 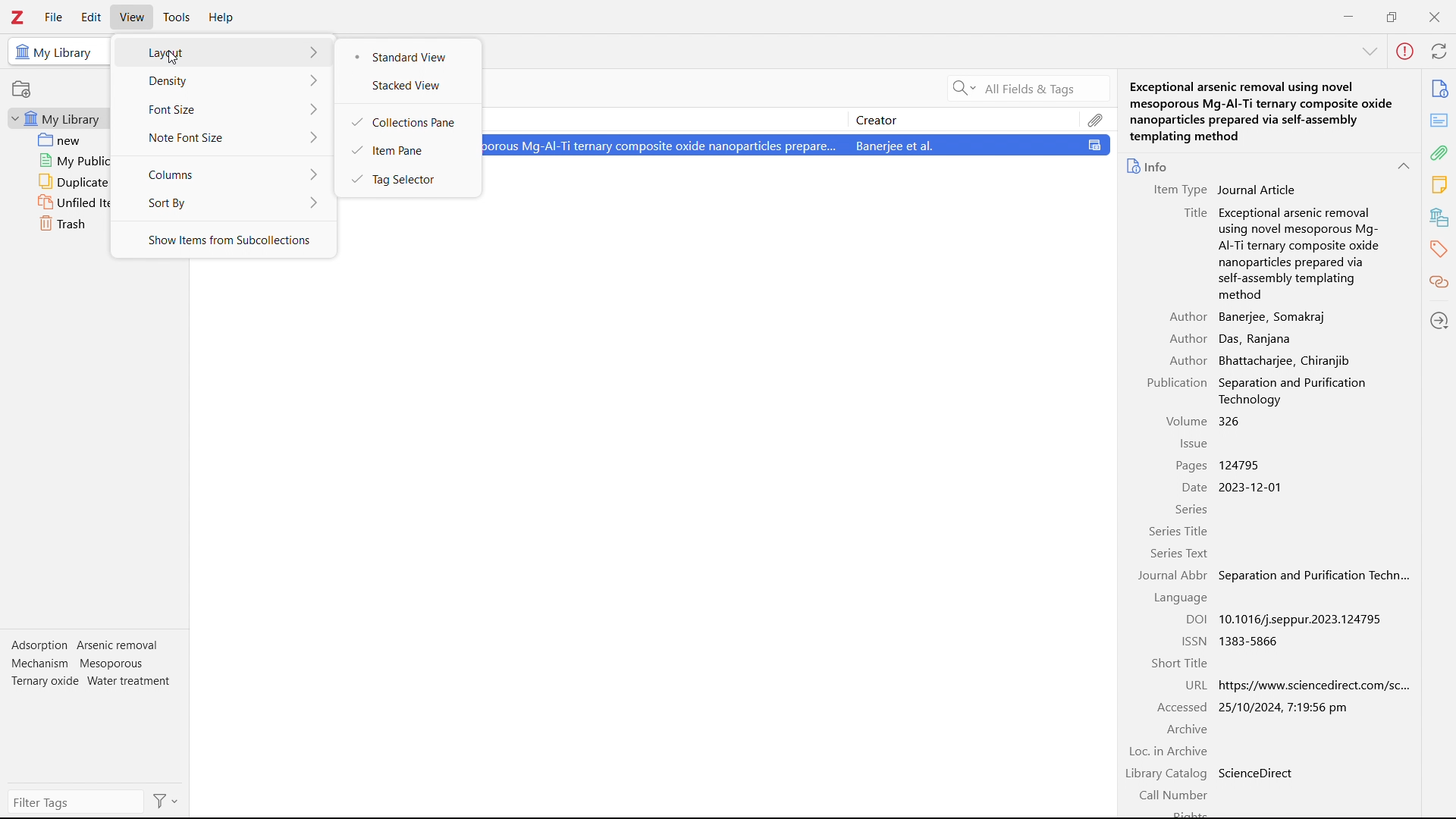 I want to click on help, so click(x=223, y=17).